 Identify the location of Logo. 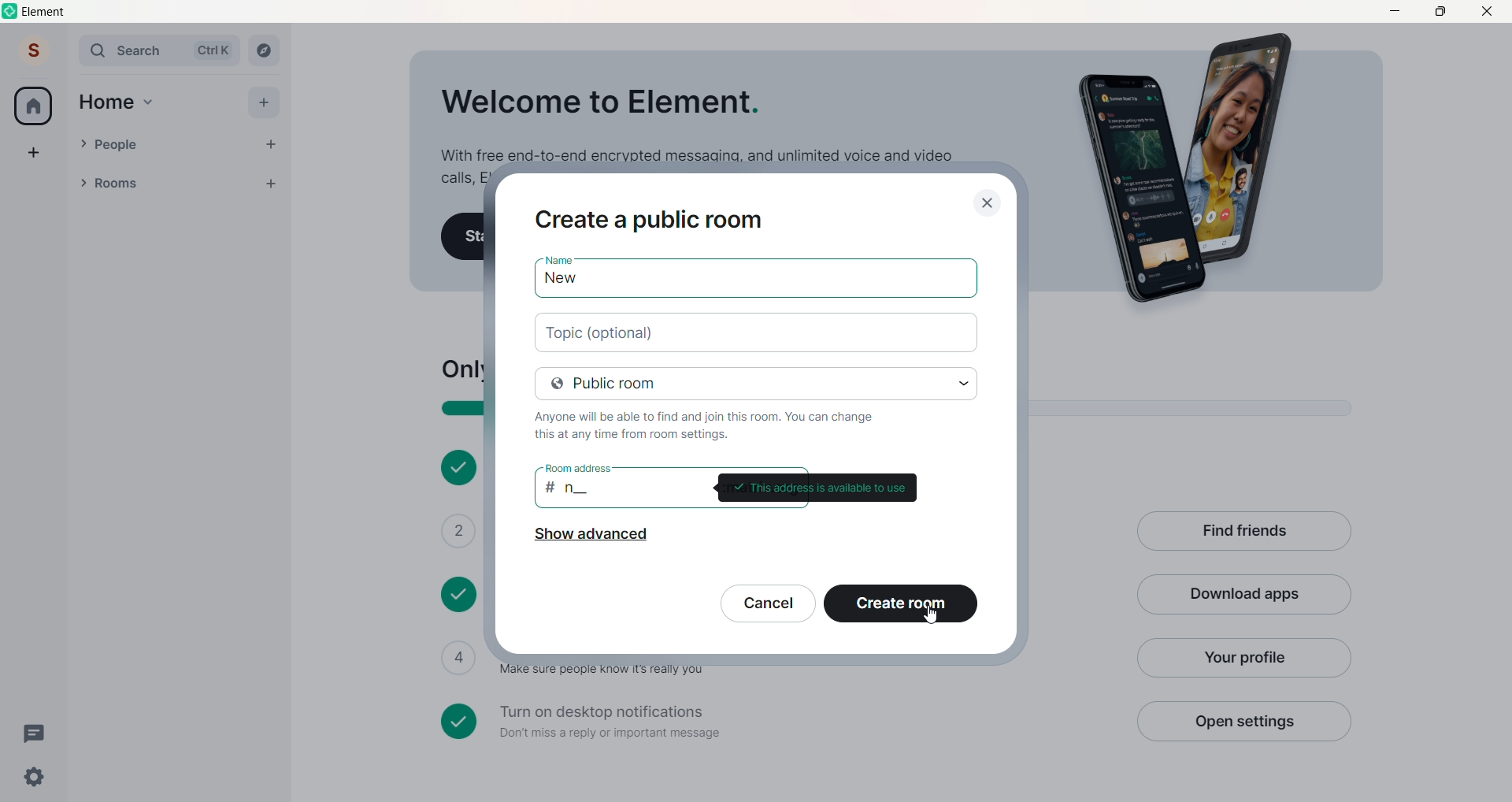
(11, 11).